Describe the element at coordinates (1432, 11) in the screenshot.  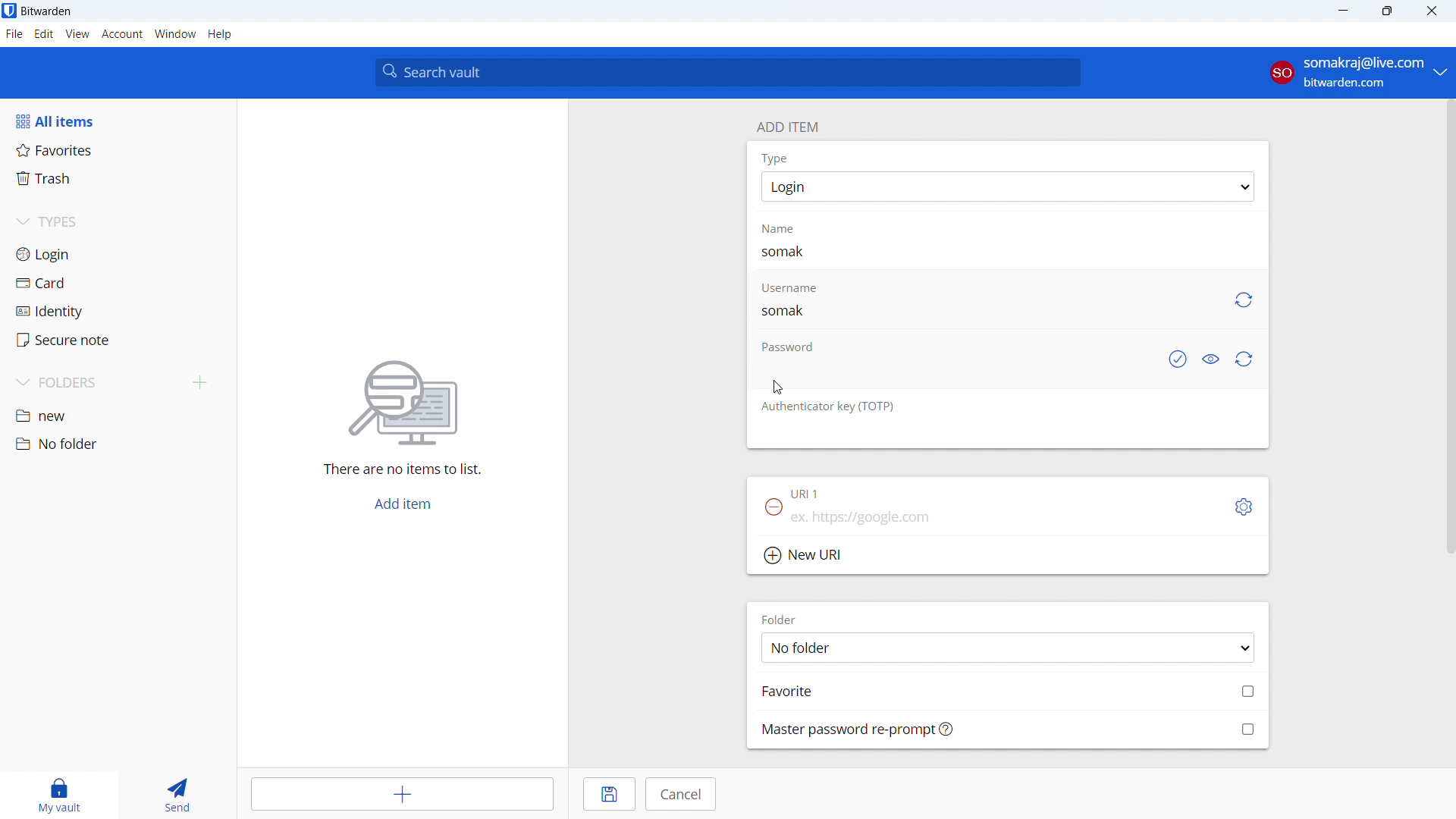
I see `close` at that location.